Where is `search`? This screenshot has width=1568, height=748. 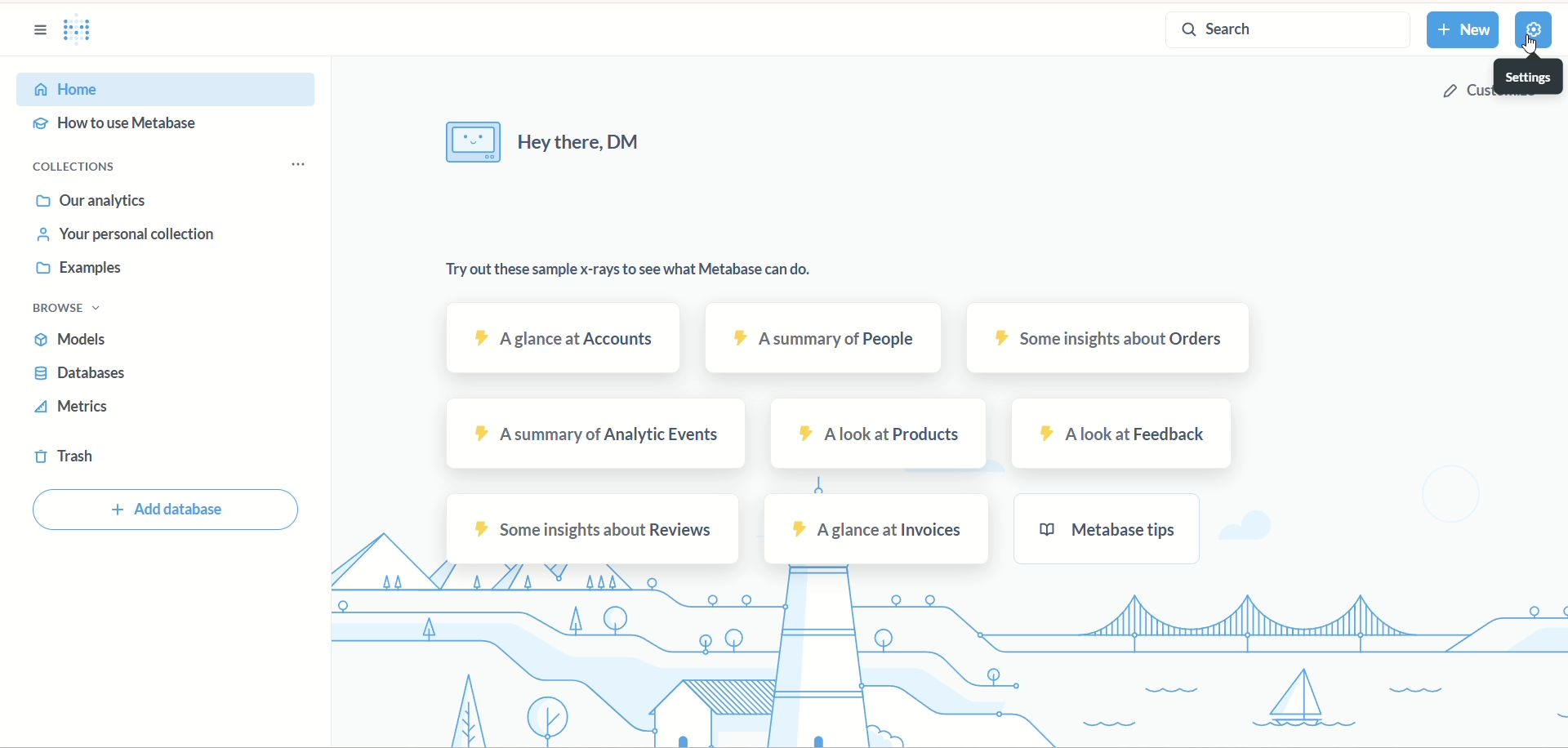 search is located at coordinates (1280, 32).